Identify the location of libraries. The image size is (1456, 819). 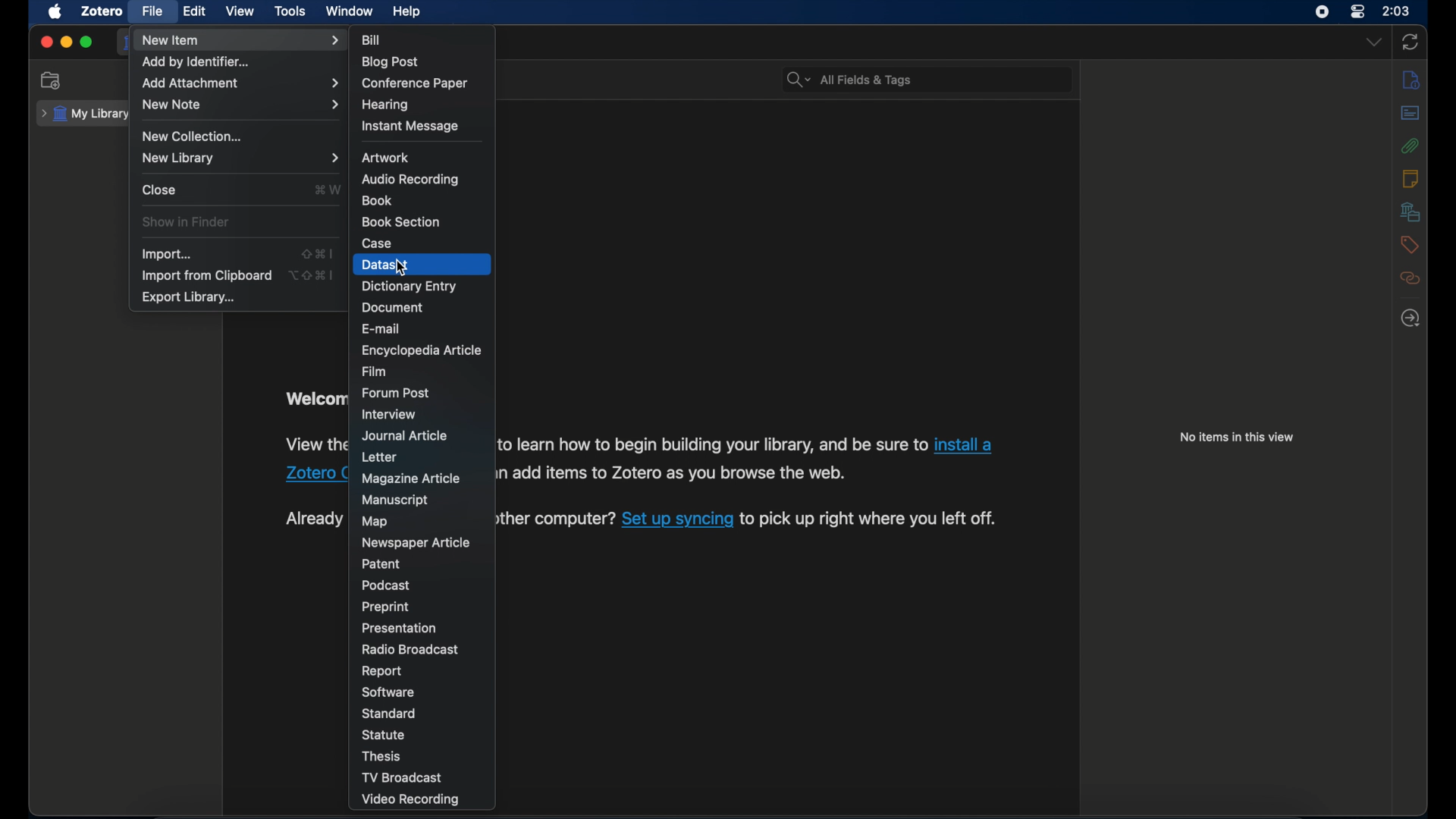
(1410, 212).